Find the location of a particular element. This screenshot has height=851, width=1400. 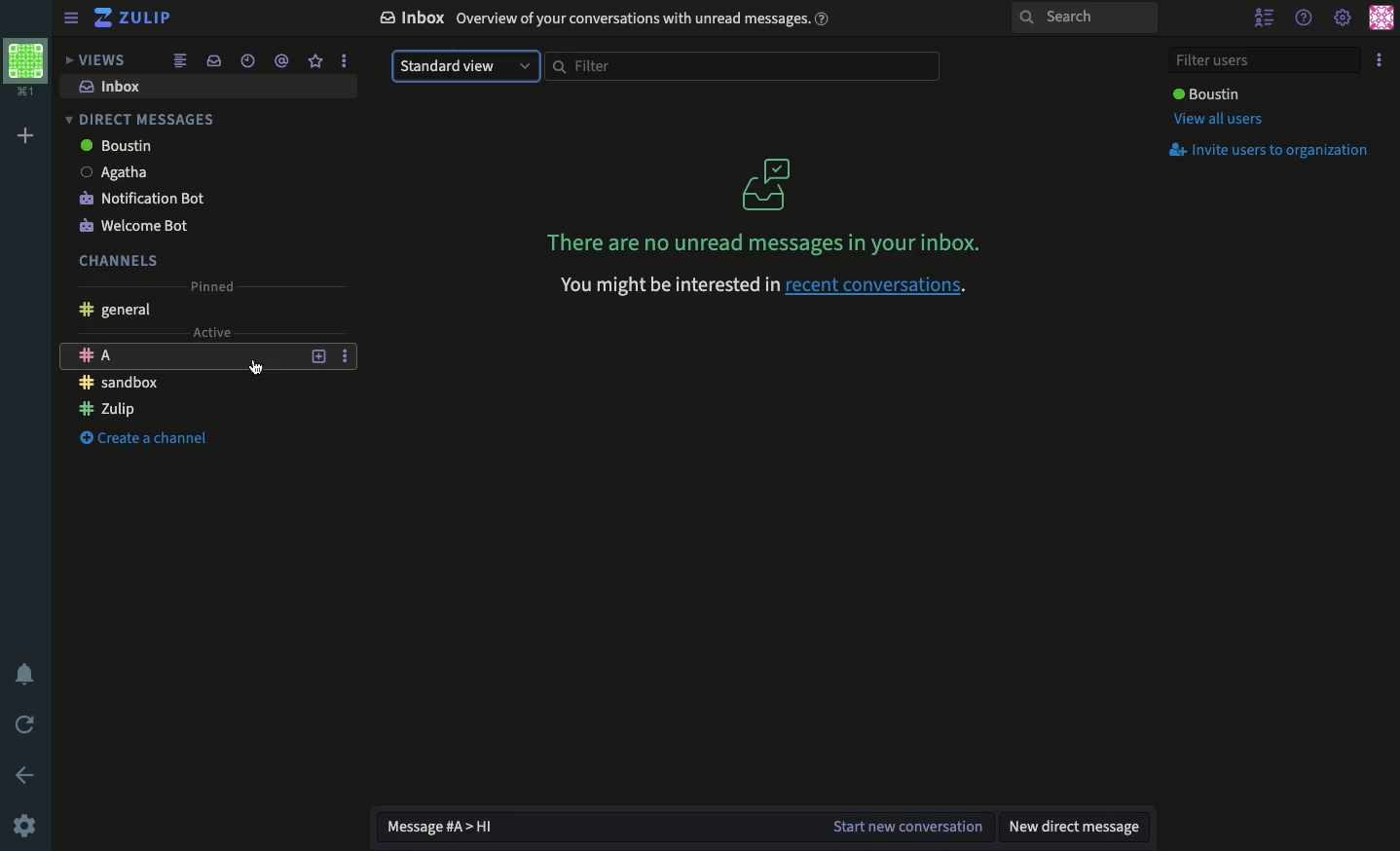

agatha is located at coordinates (205, 172).